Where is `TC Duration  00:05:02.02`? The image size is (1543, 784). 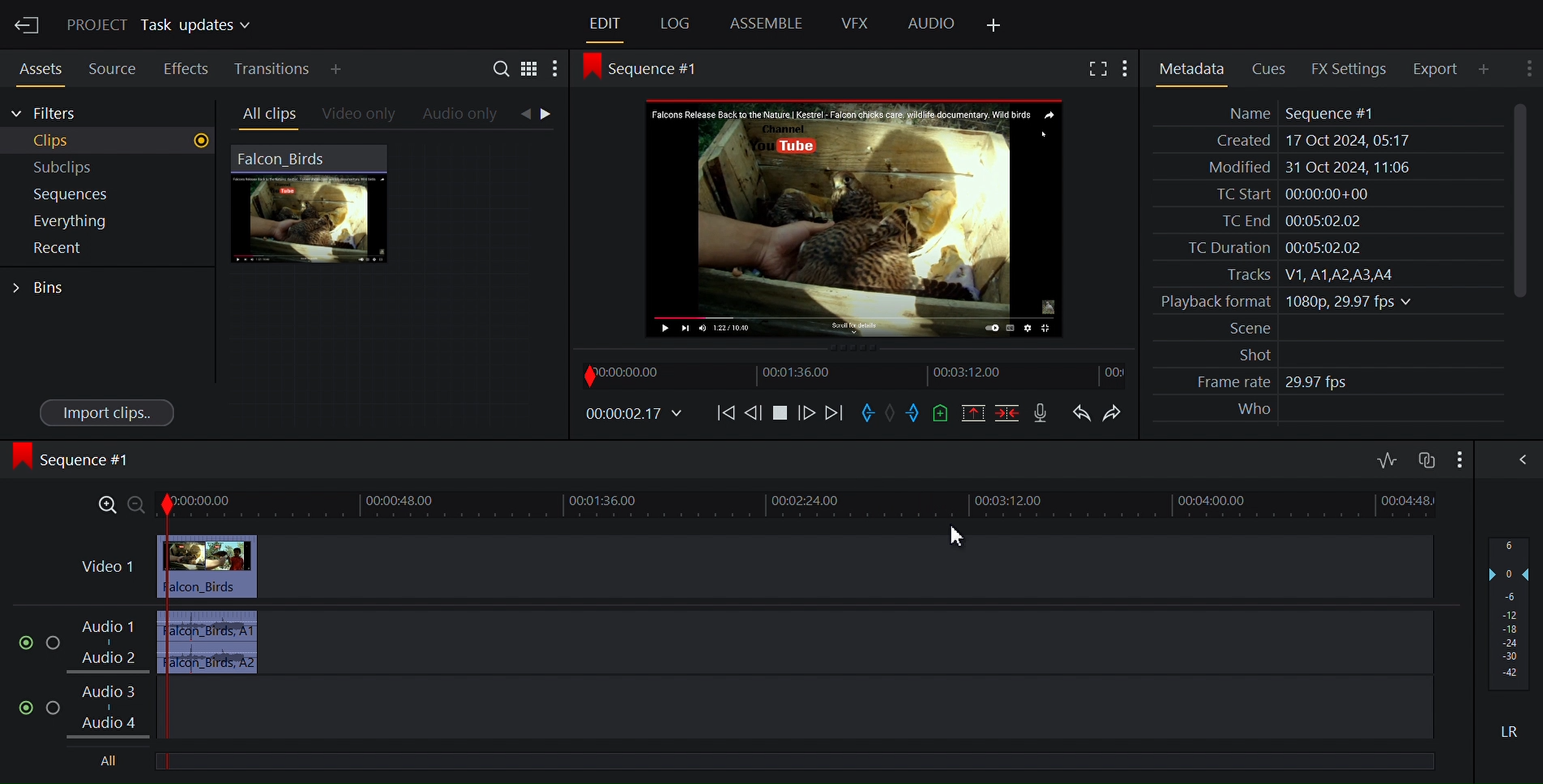
TC Duration  00:05:02.02 is located at coordinates (1263, 248).